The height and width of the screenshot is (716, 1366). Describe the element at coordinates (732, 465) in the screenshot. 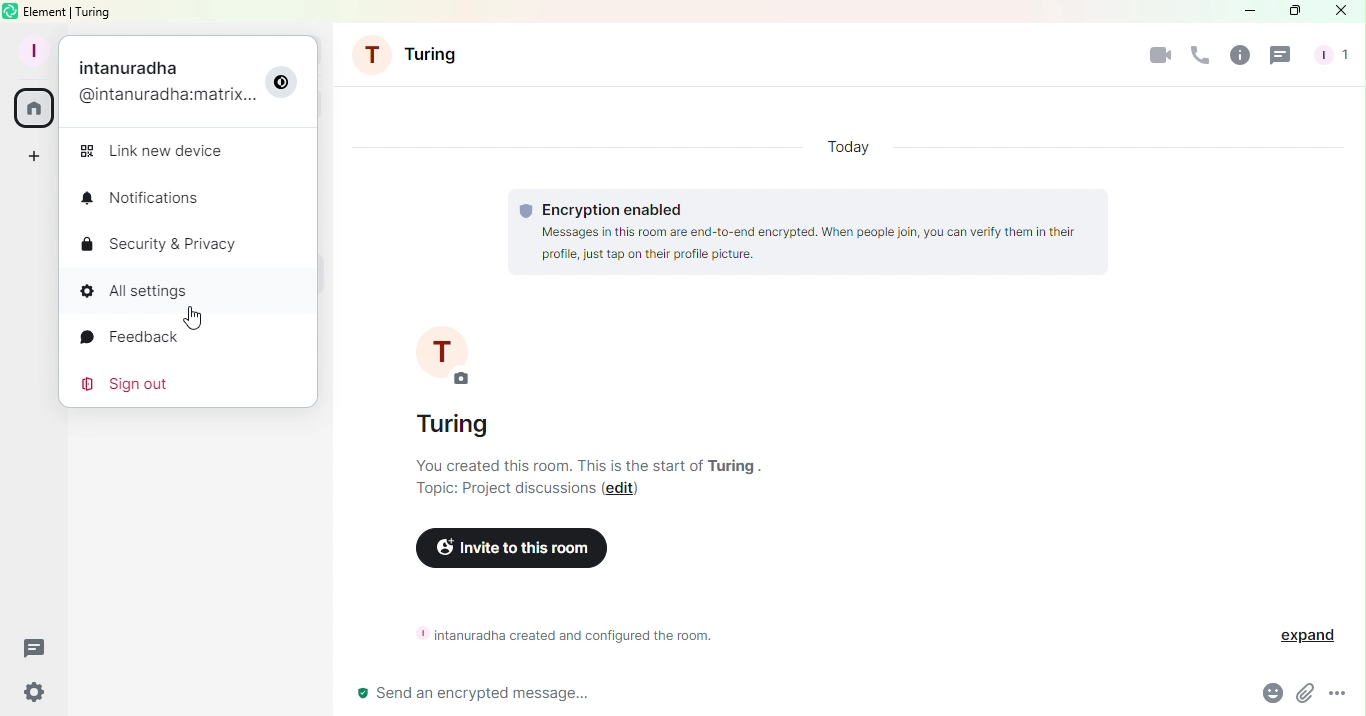

I see `turing` at that location.